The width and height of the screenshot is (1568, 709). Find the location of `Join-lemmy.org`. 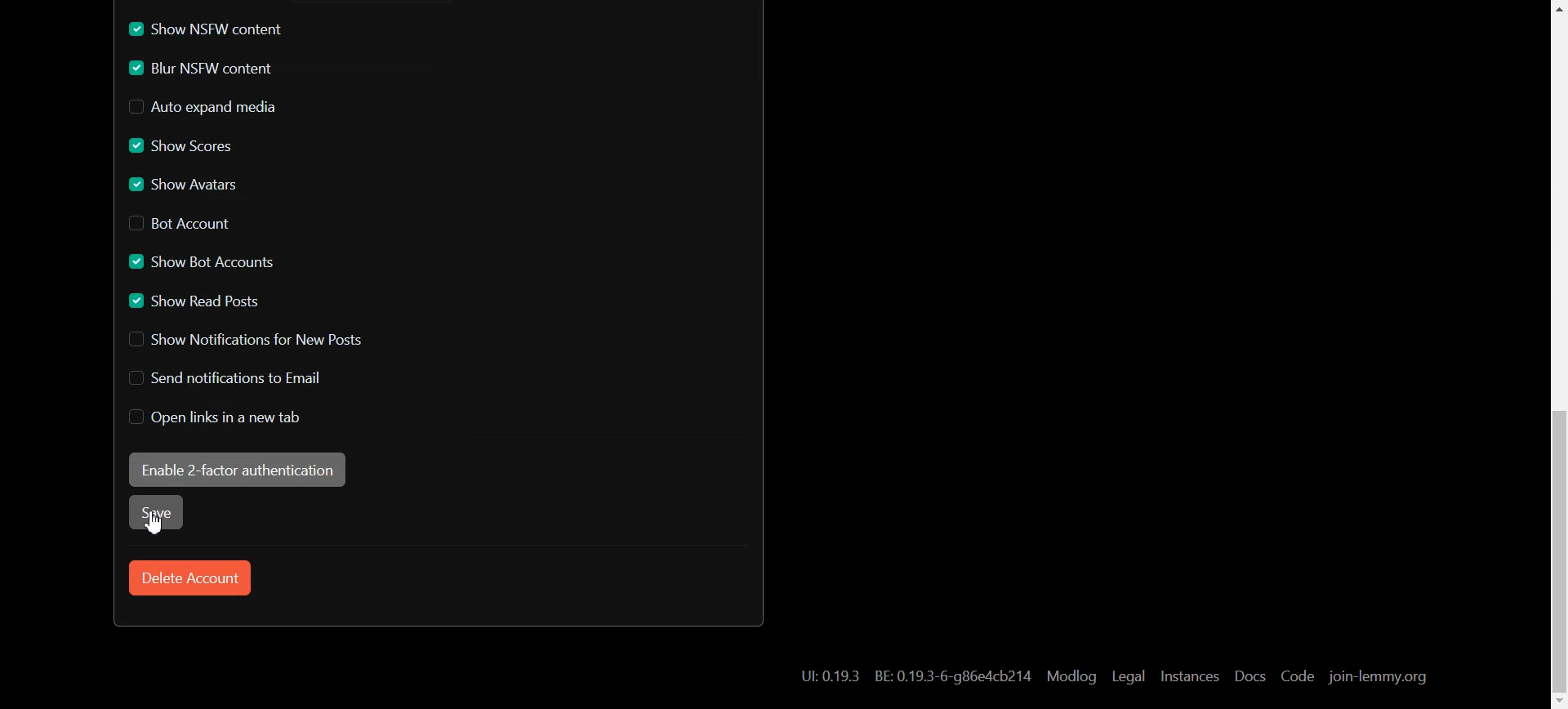

Join-lemmy.org is located at coordinates (1379, 676).